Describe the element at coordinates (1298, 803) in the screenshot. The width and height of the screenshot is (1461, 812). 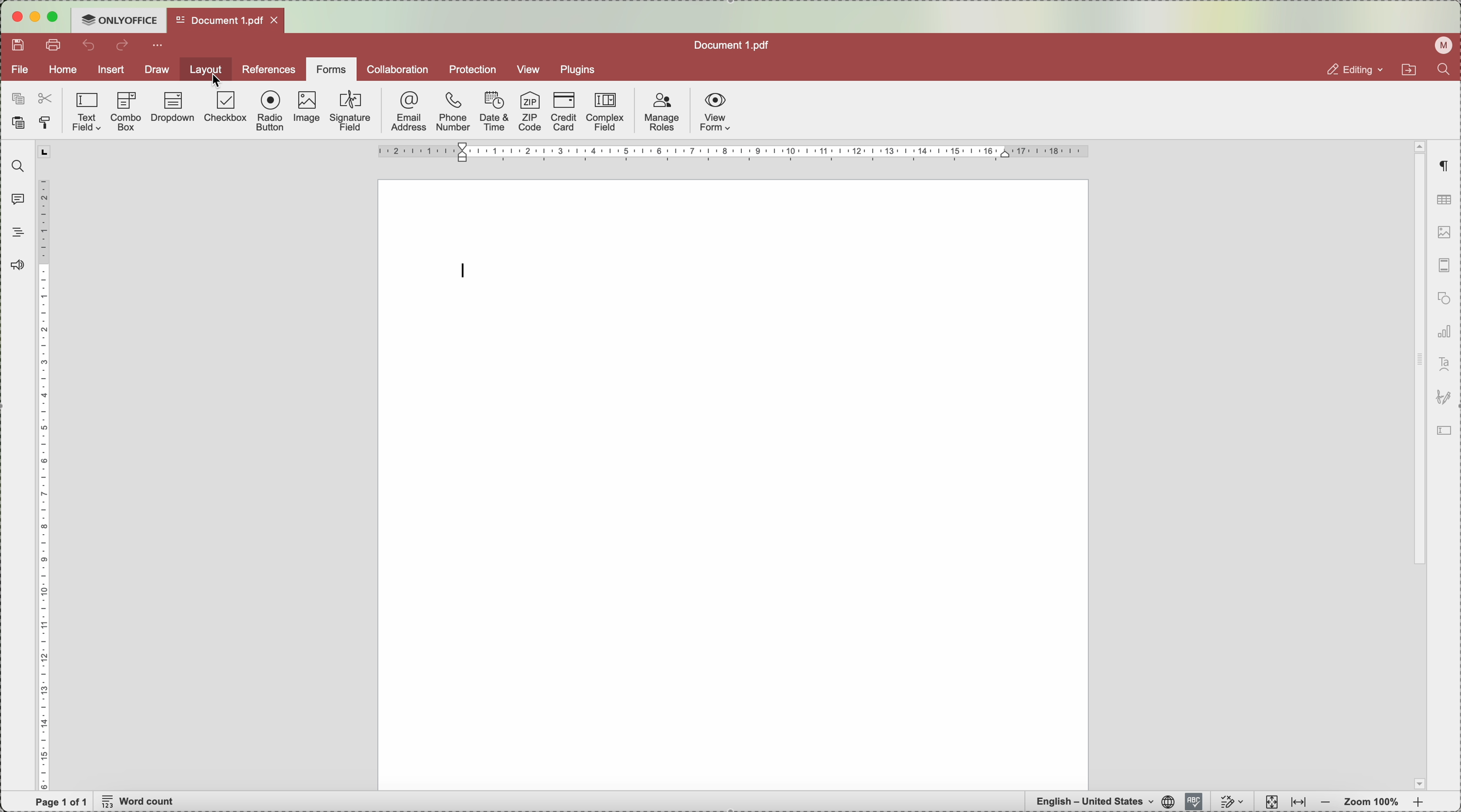
I see `fit to wight` at that location.